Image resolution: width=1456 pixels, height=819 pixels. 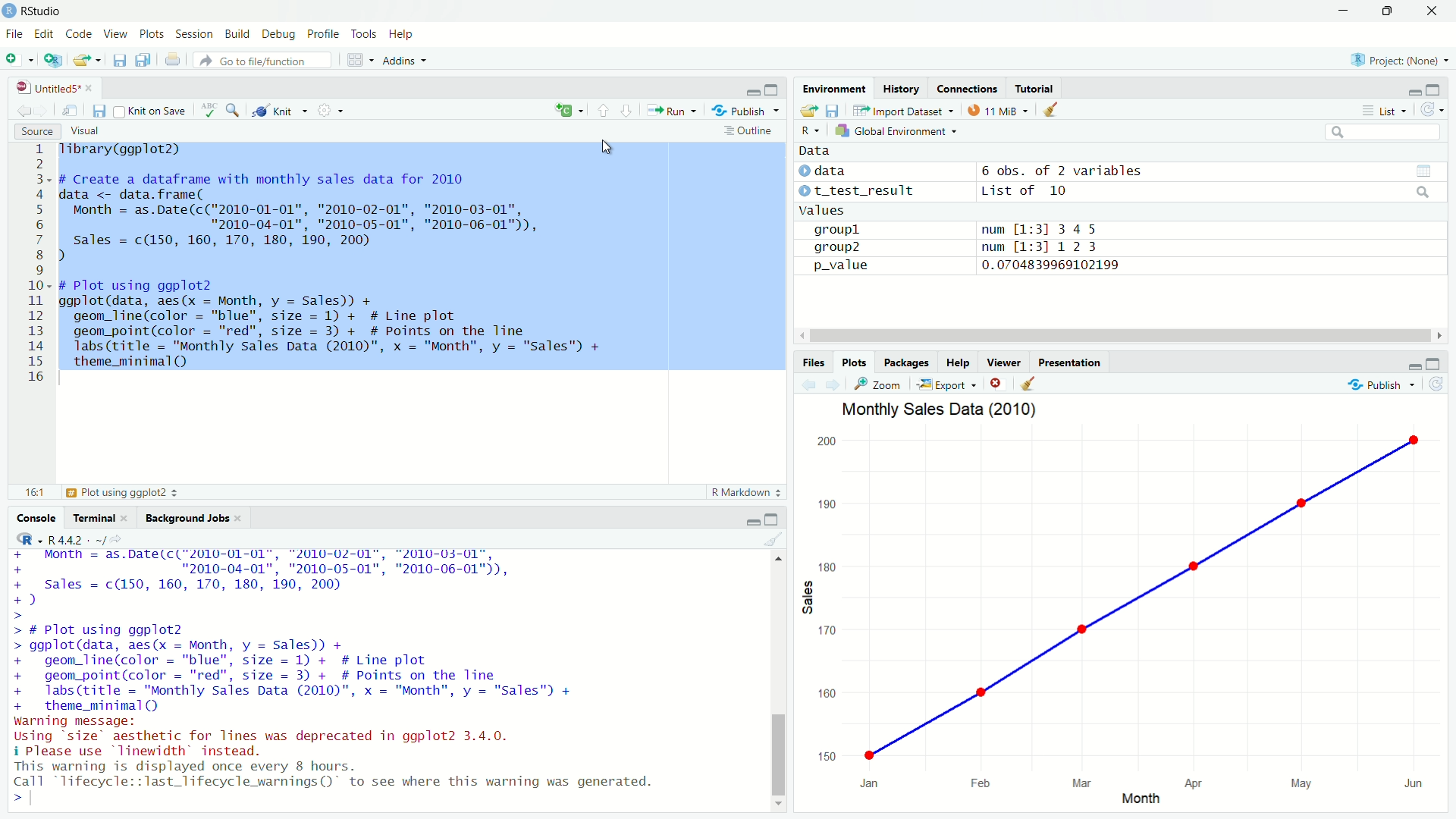 What do you see at coordinates (55, 86) in the screenshot?
I see ` Untitleds` at bounding box center [55, 86].